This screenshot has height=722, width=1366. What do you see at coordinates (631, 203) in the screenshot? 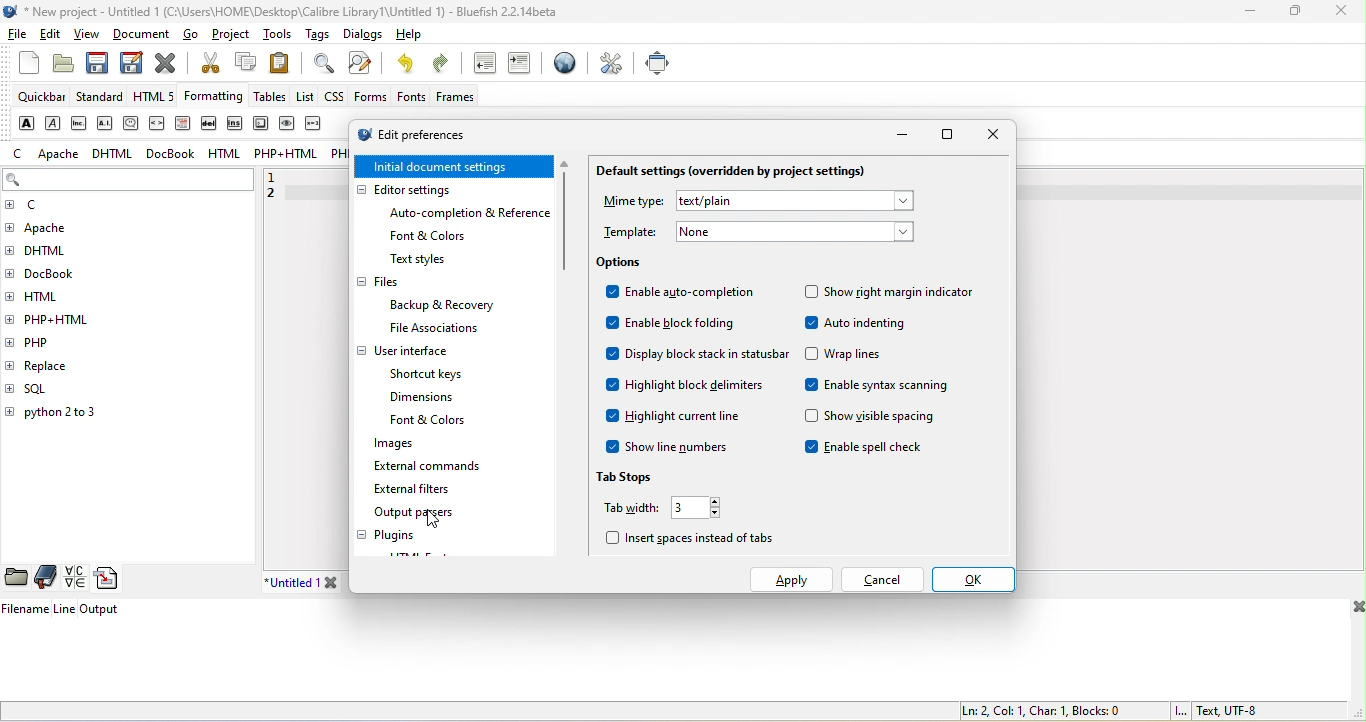
I see `mime type` at bounding box center [631, 203].